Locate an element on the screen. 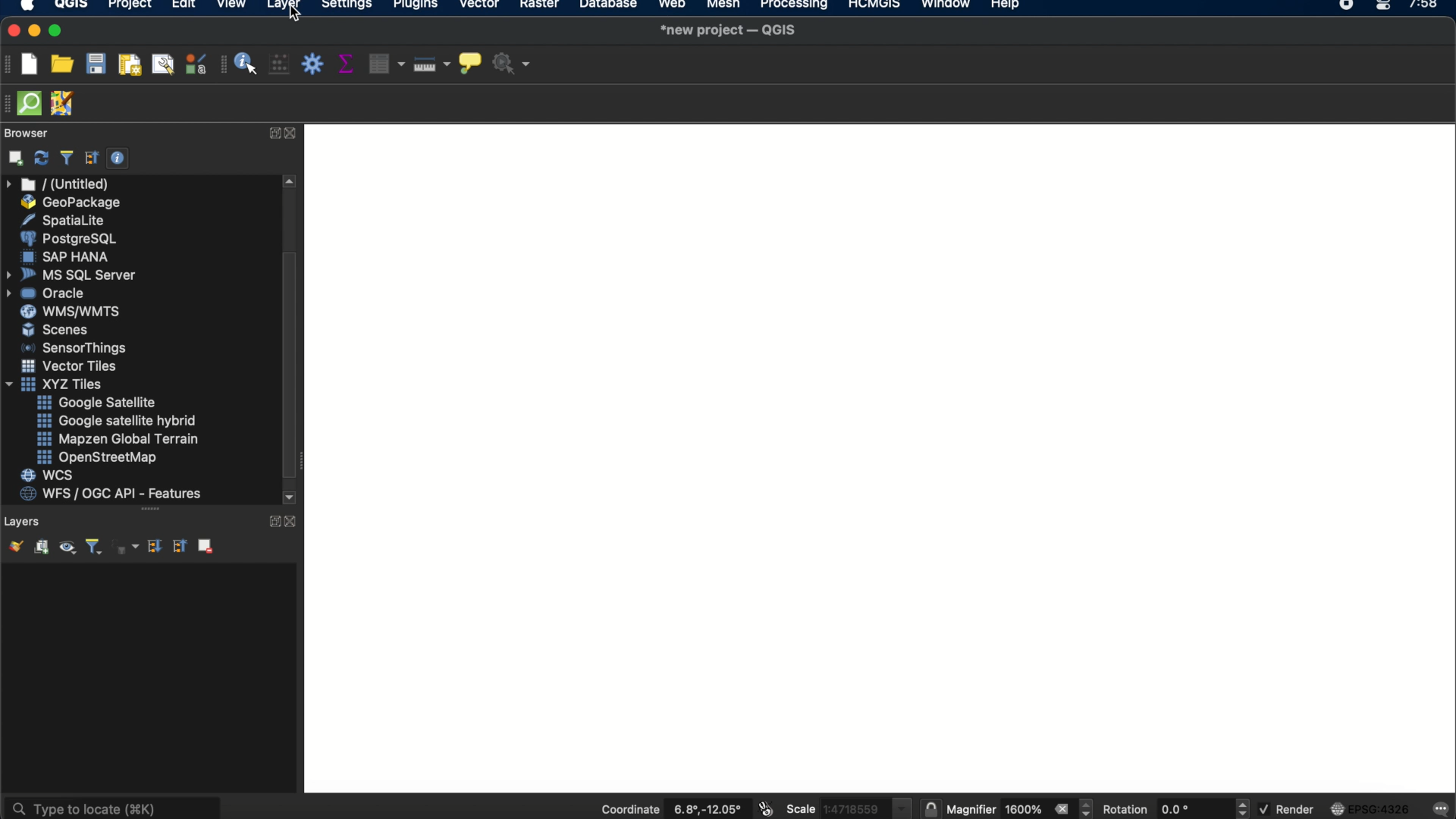 This screenshot has width=1456, height=819. QGIS is located at coordinates (72, 6).